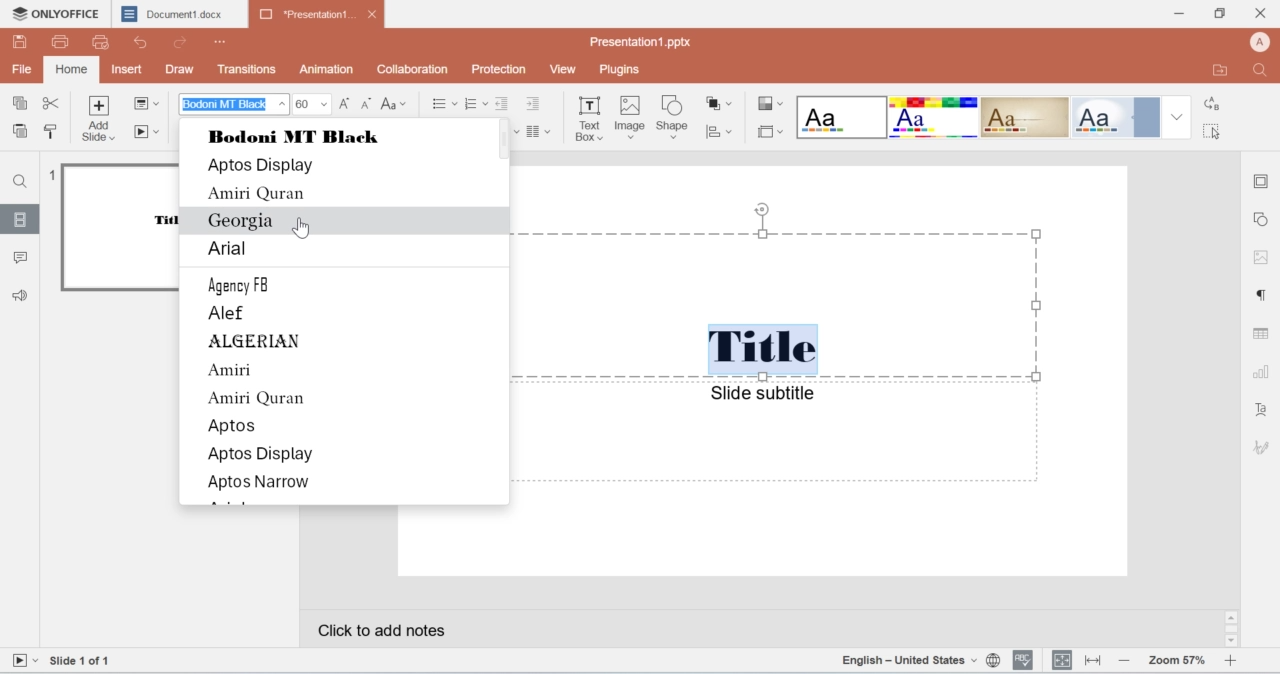  Describe the element at coordinates (314, 103) in the screenshot. I see `font size` at that location.